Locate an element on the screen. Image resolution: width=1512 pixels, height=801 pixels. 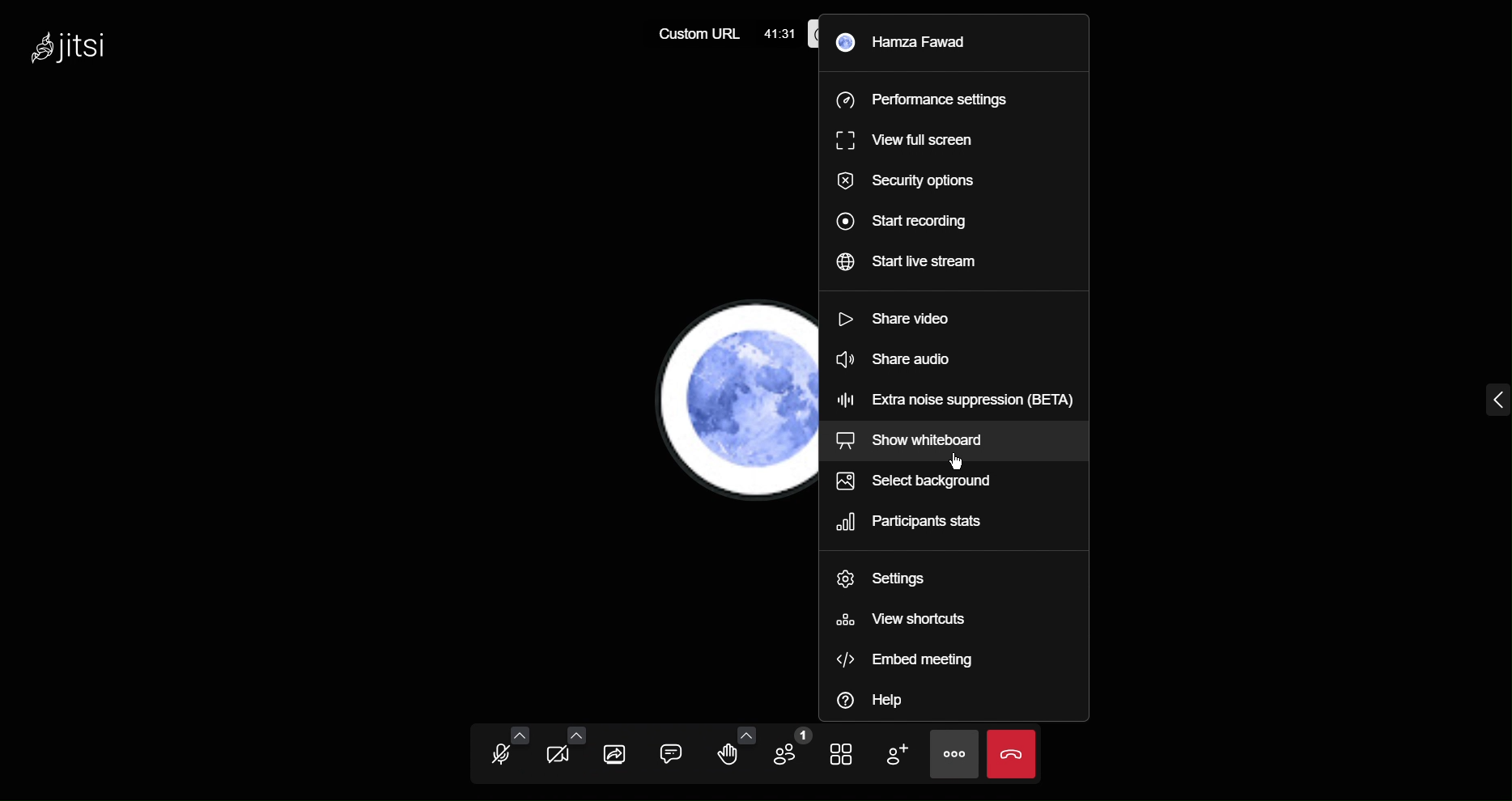
More is located at coordinates (956, 755).